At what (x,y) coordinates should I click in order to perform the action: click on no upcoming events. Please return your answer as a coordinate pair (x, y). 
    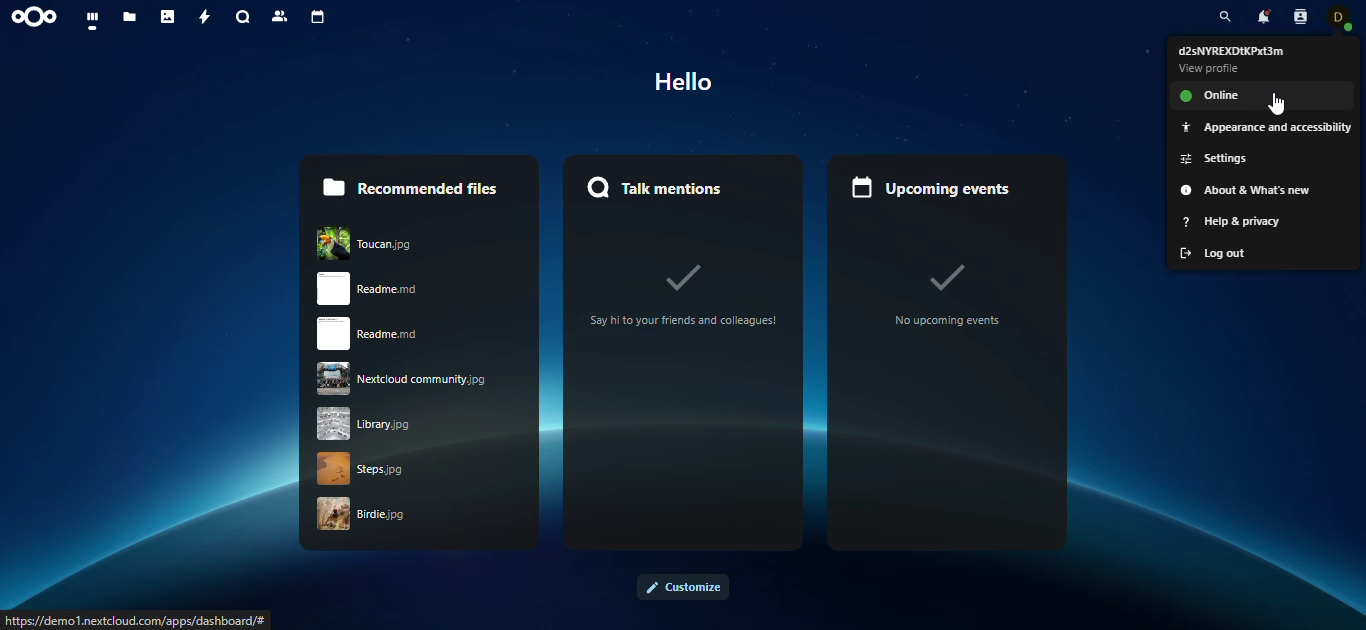
    Looking at the image, I should click on (966, 292).